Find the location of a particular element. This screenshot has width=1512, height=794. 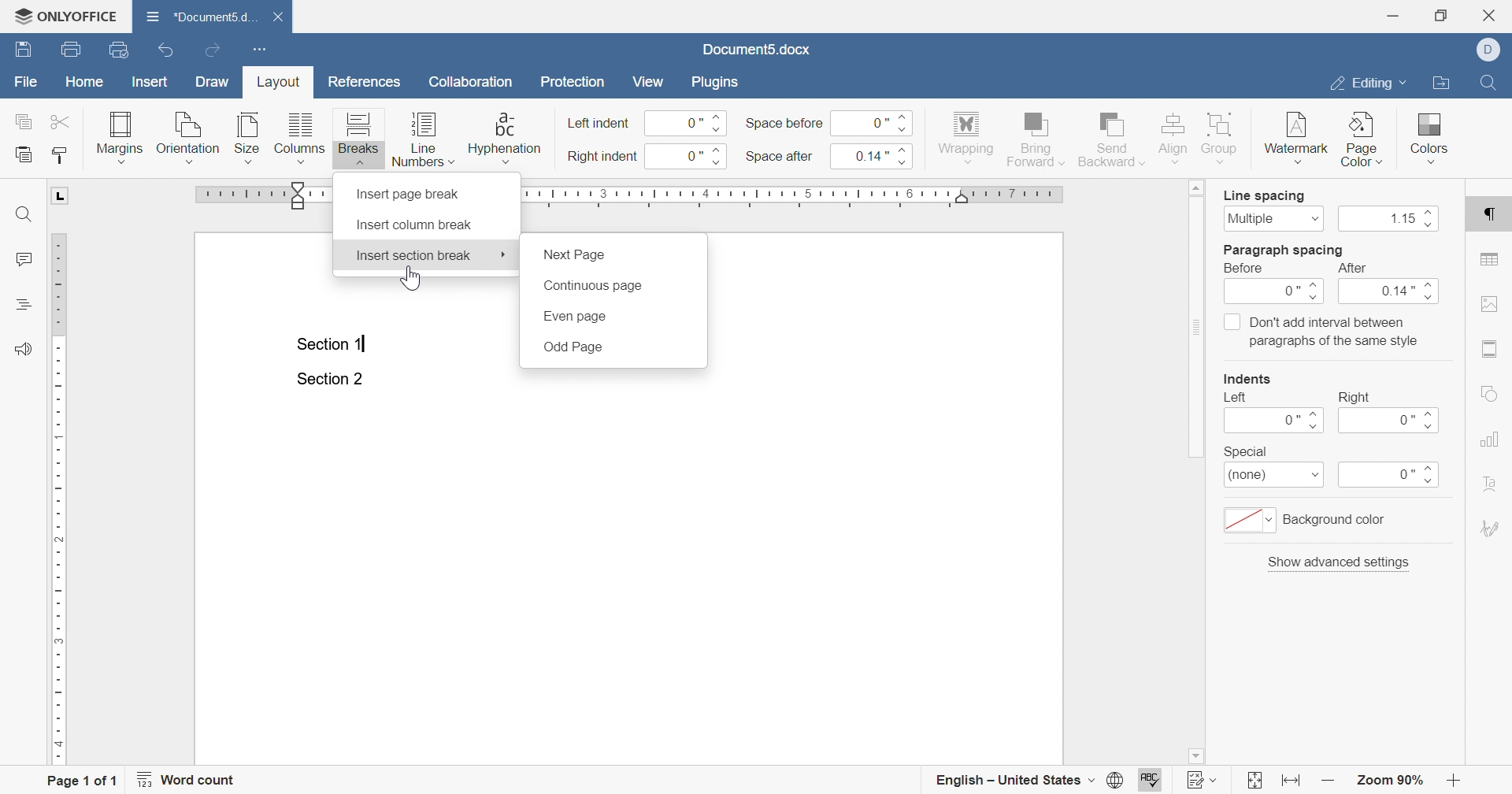

ONLYOFFICE is located at coordinates (65, 17).